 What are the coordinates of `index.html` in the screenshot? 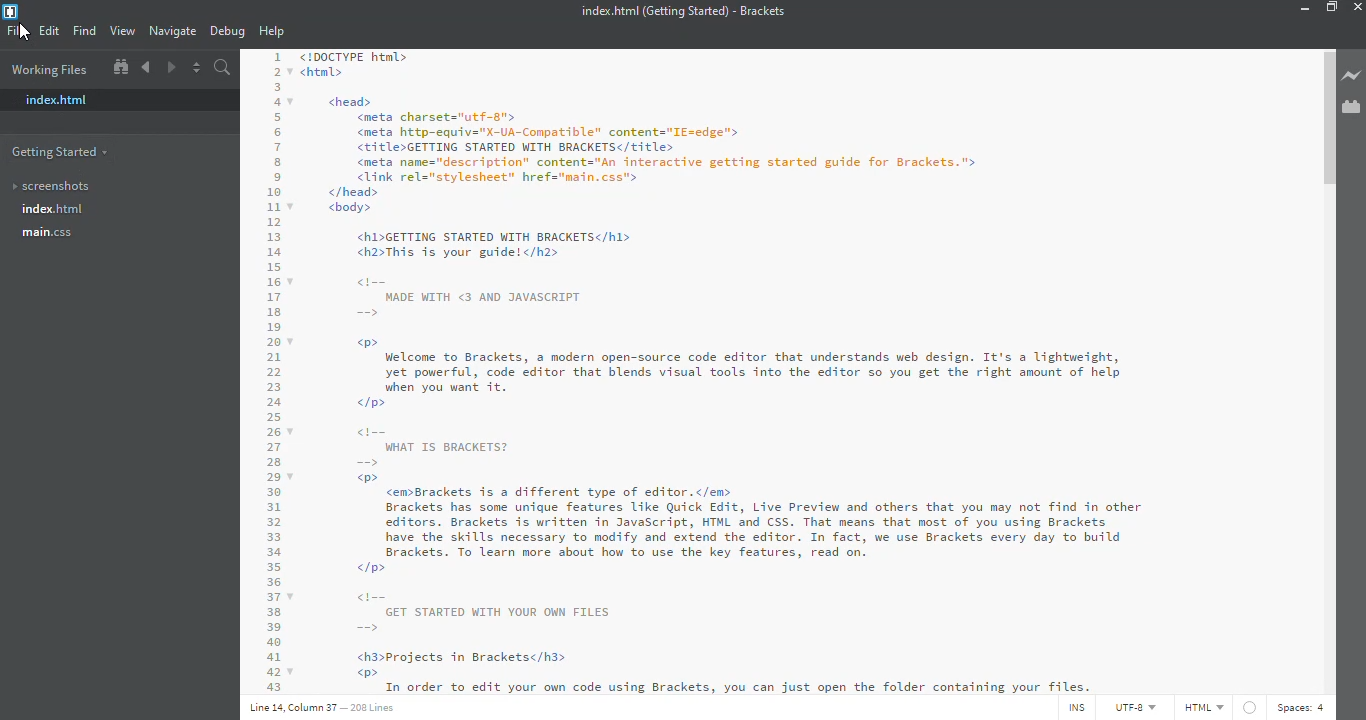 It's located at (58, 99).